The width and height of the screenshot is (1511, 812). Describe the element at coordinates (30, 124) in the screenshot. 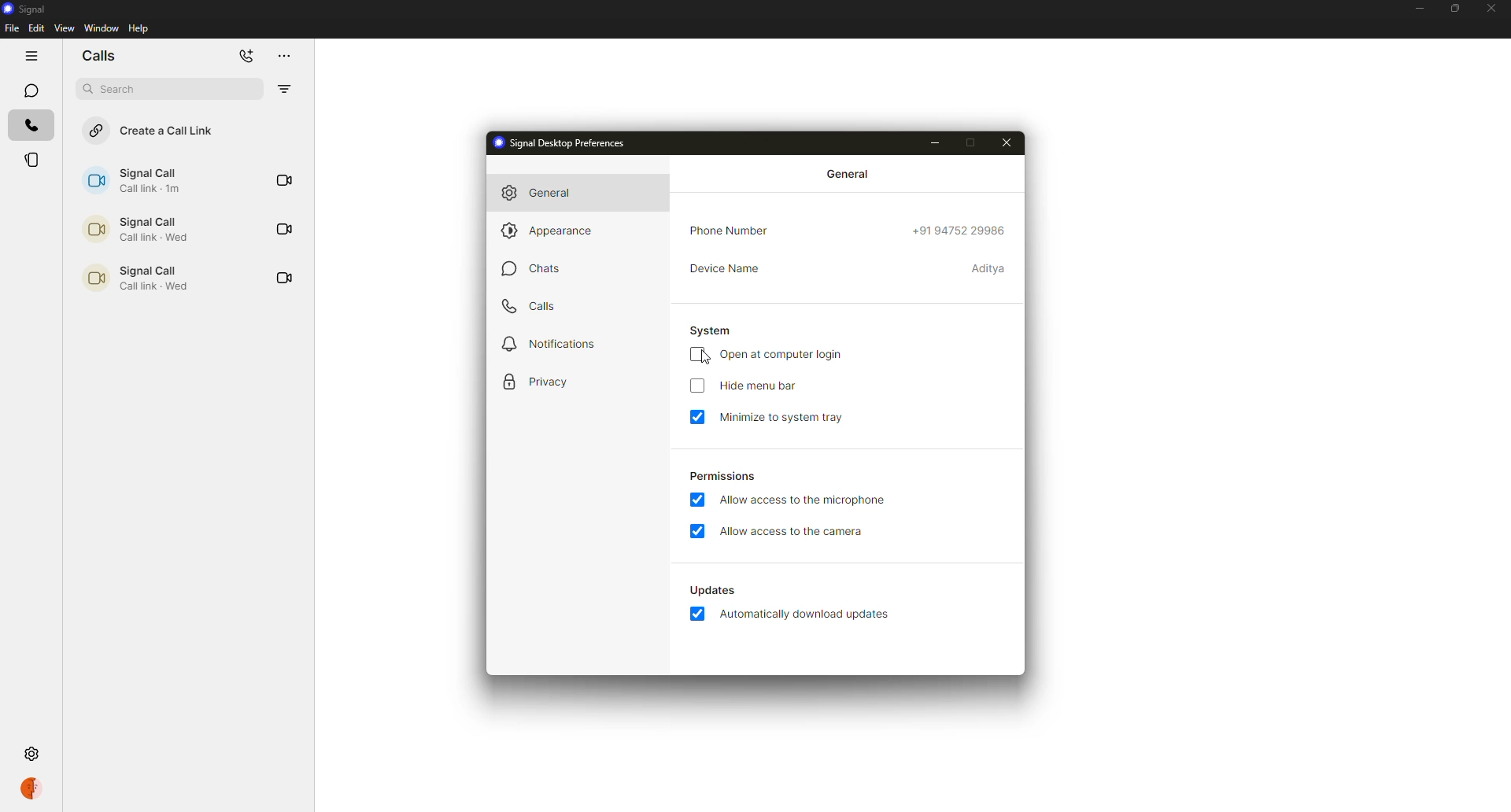

I see `calls` at that location.